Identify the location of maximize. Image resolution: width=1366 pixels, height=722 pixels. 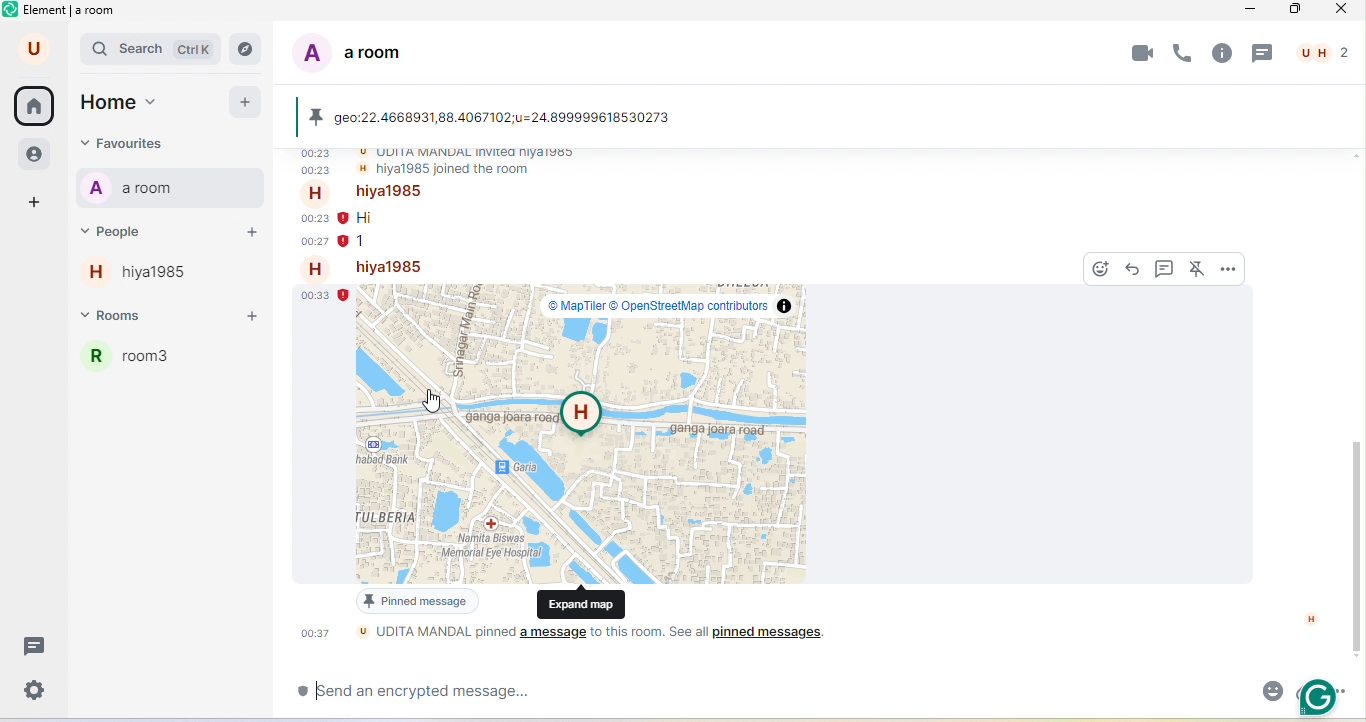
(1296, 10).